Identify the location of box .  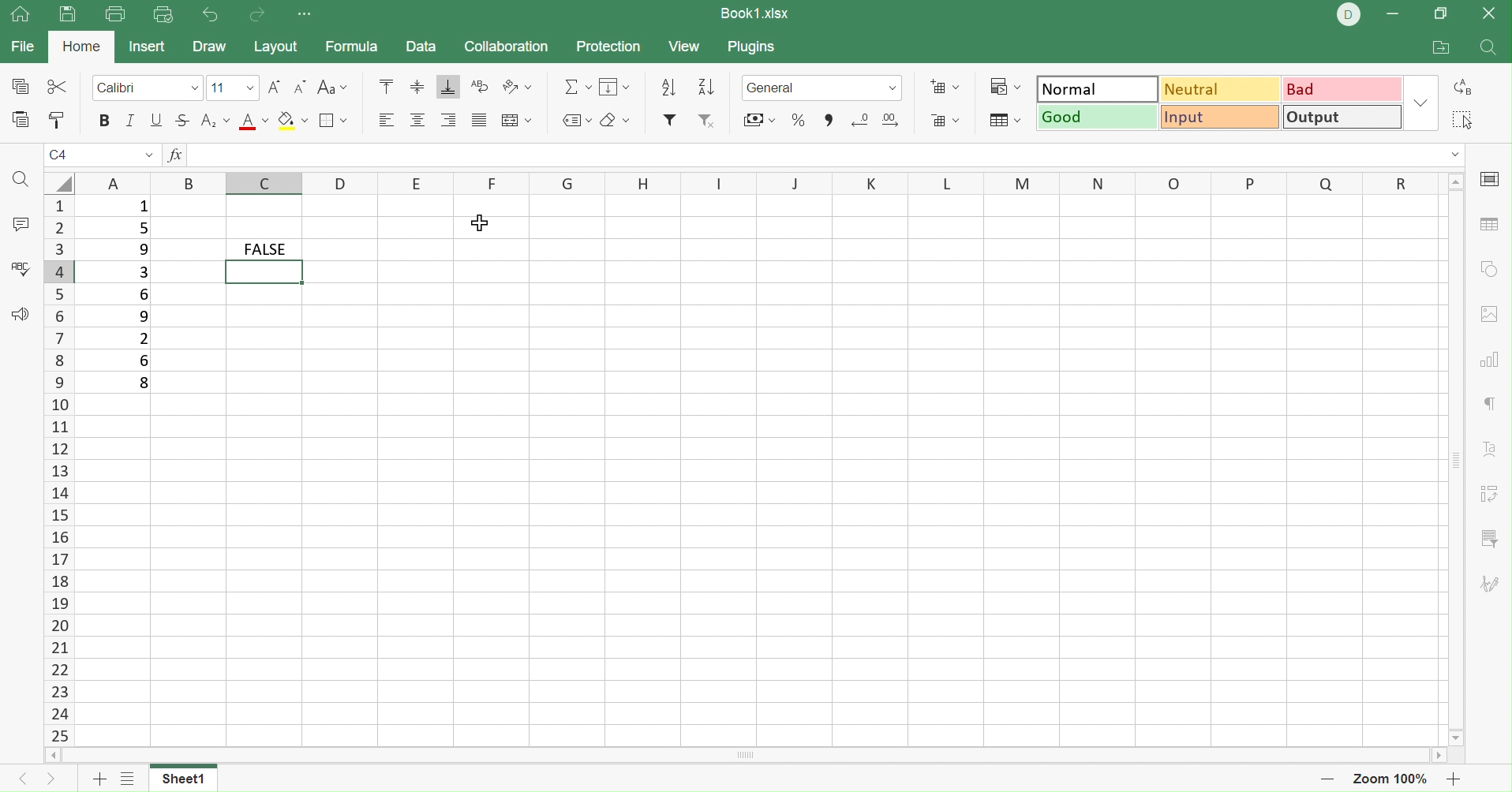
(113, 251).